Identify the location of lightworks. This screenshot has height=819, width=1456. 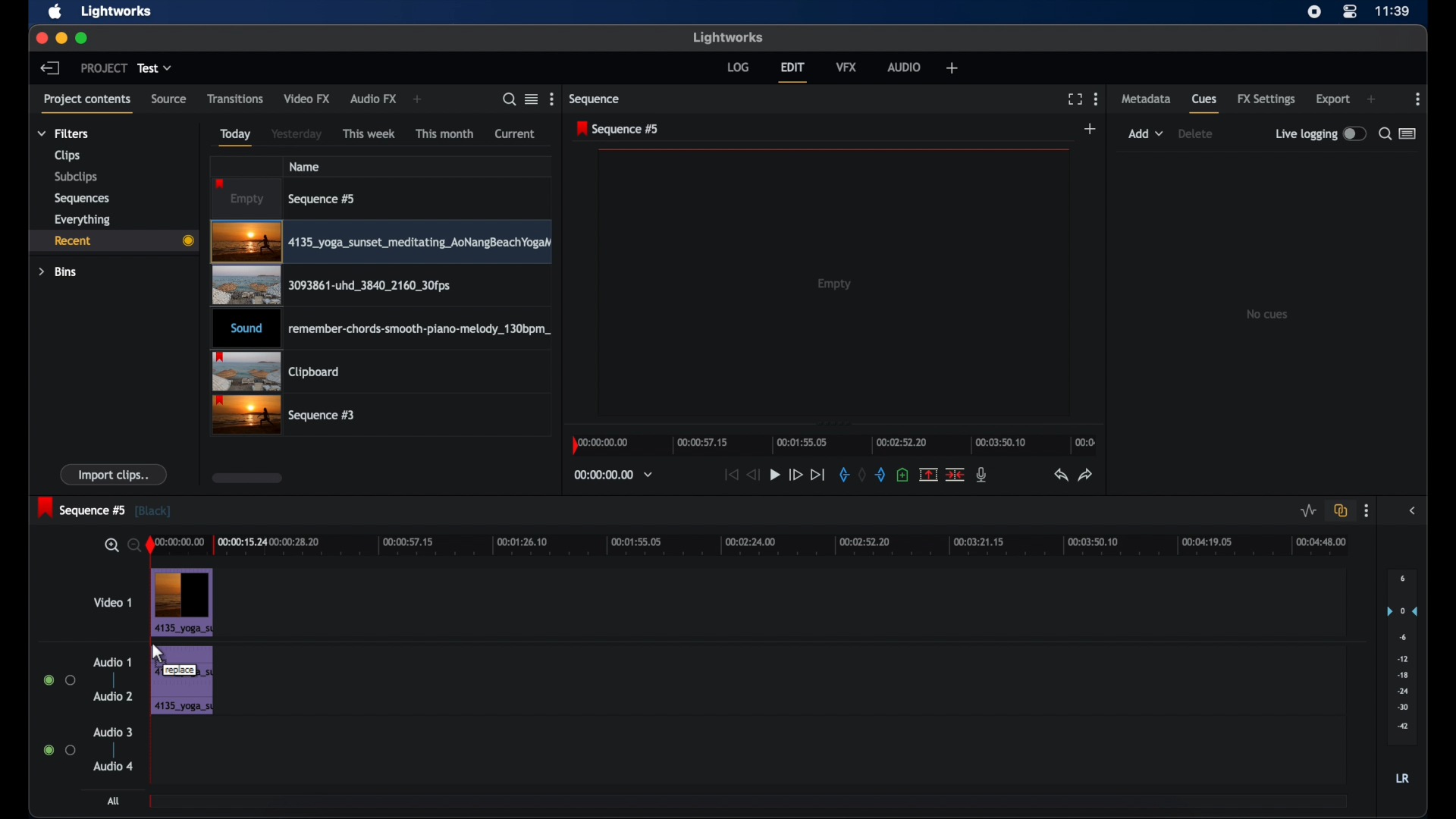
(117, 11).